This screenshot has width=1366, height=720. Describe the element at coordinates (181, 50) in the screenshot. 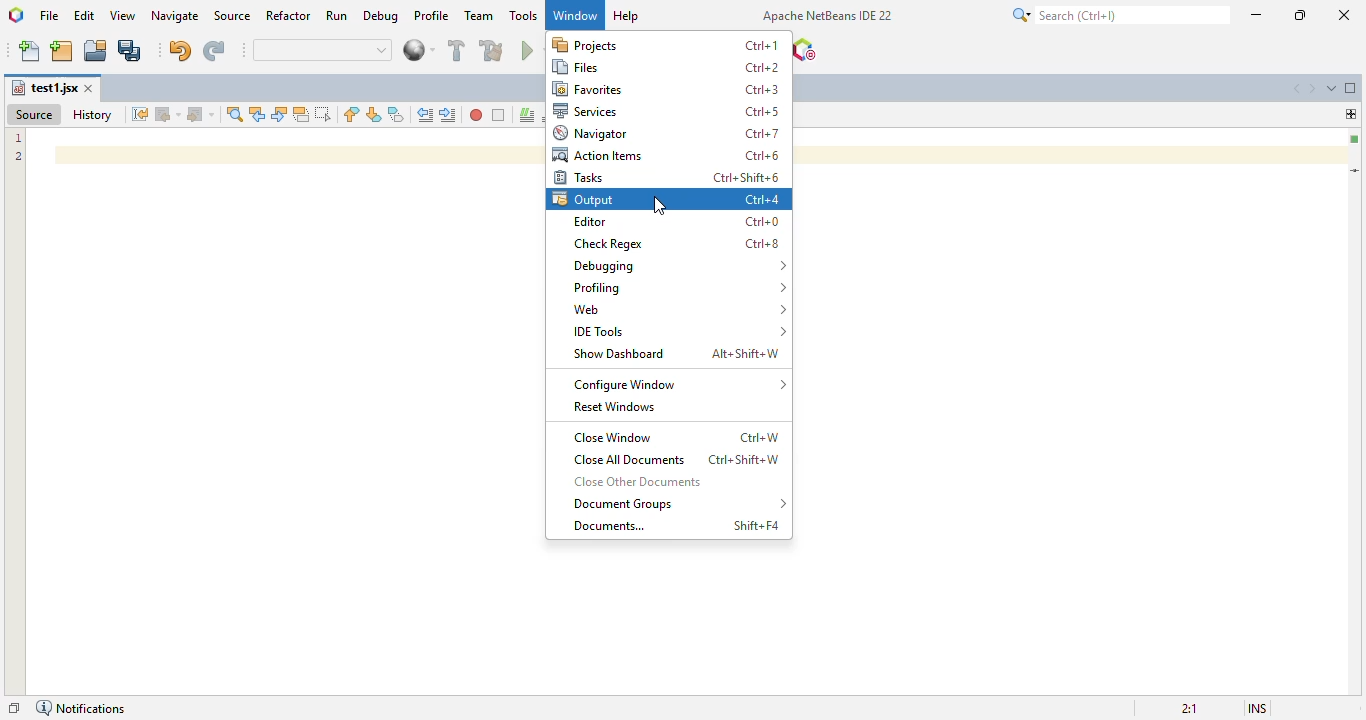

I see `undo` at that location.